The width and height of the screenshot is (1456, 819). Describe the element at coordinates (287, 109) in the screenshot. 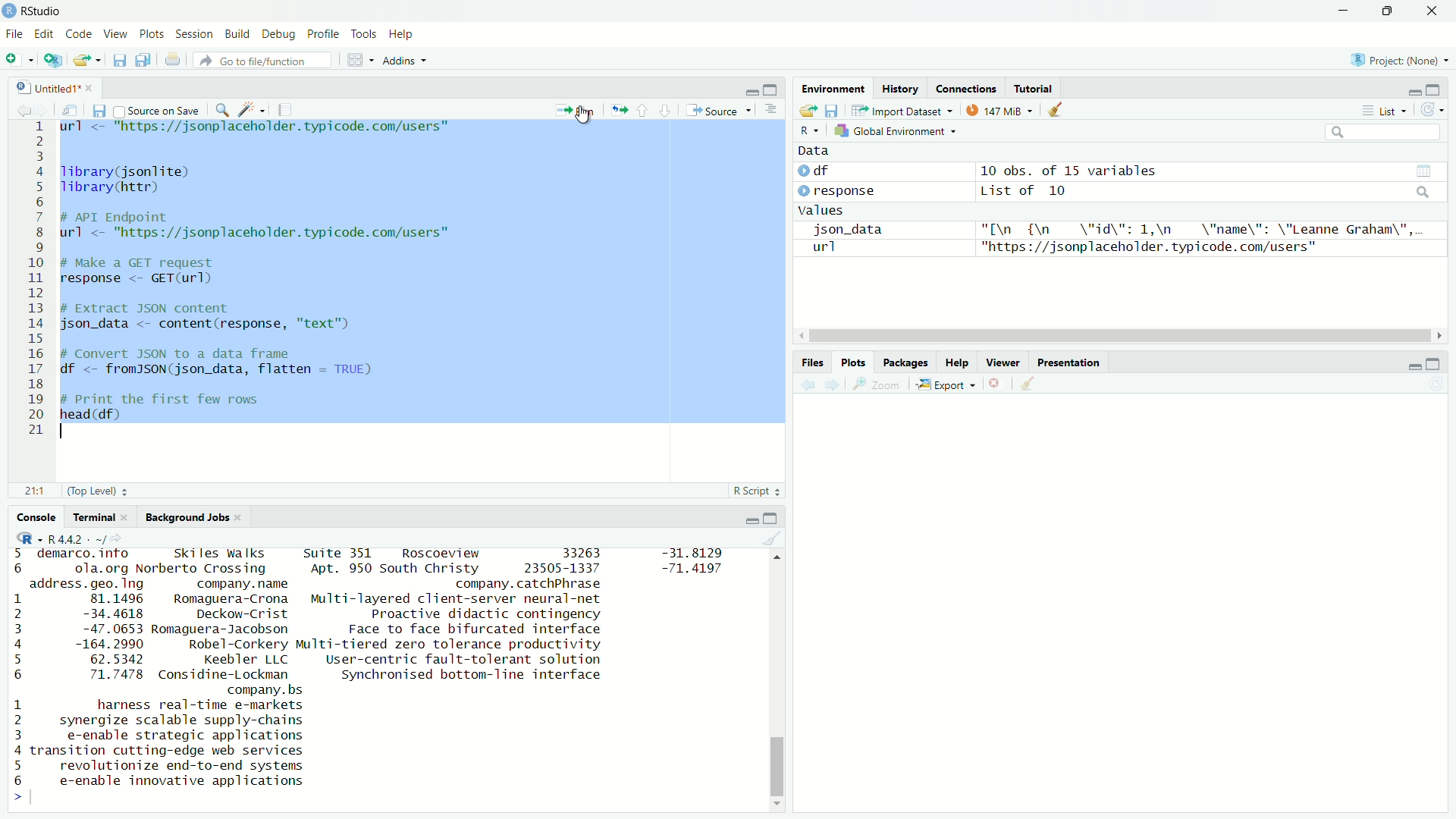

I see `Compile Report` at that location.